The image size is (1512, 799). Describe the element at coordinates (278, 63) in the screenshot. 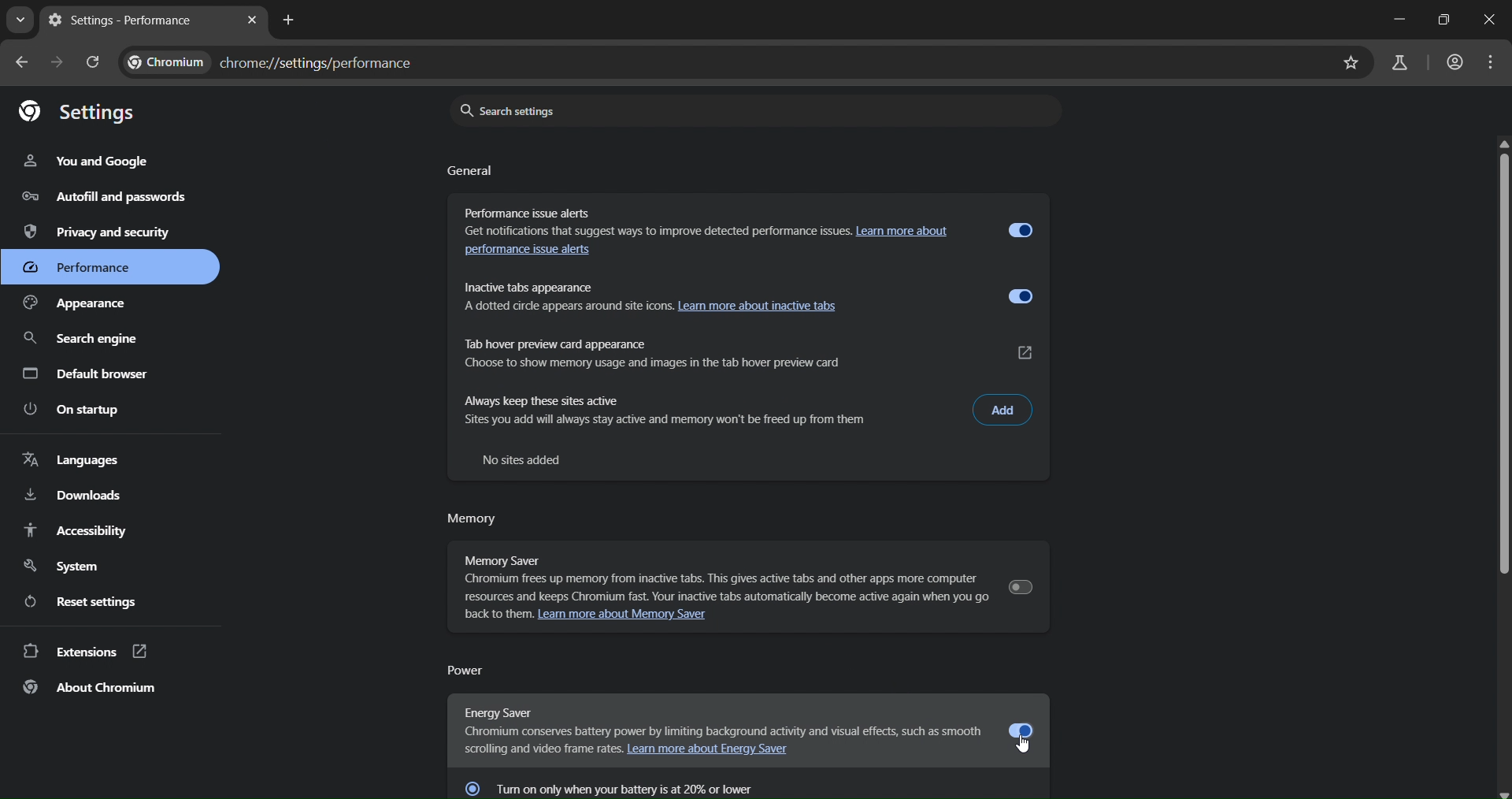

I see `chrome://settings/performance` at that location.